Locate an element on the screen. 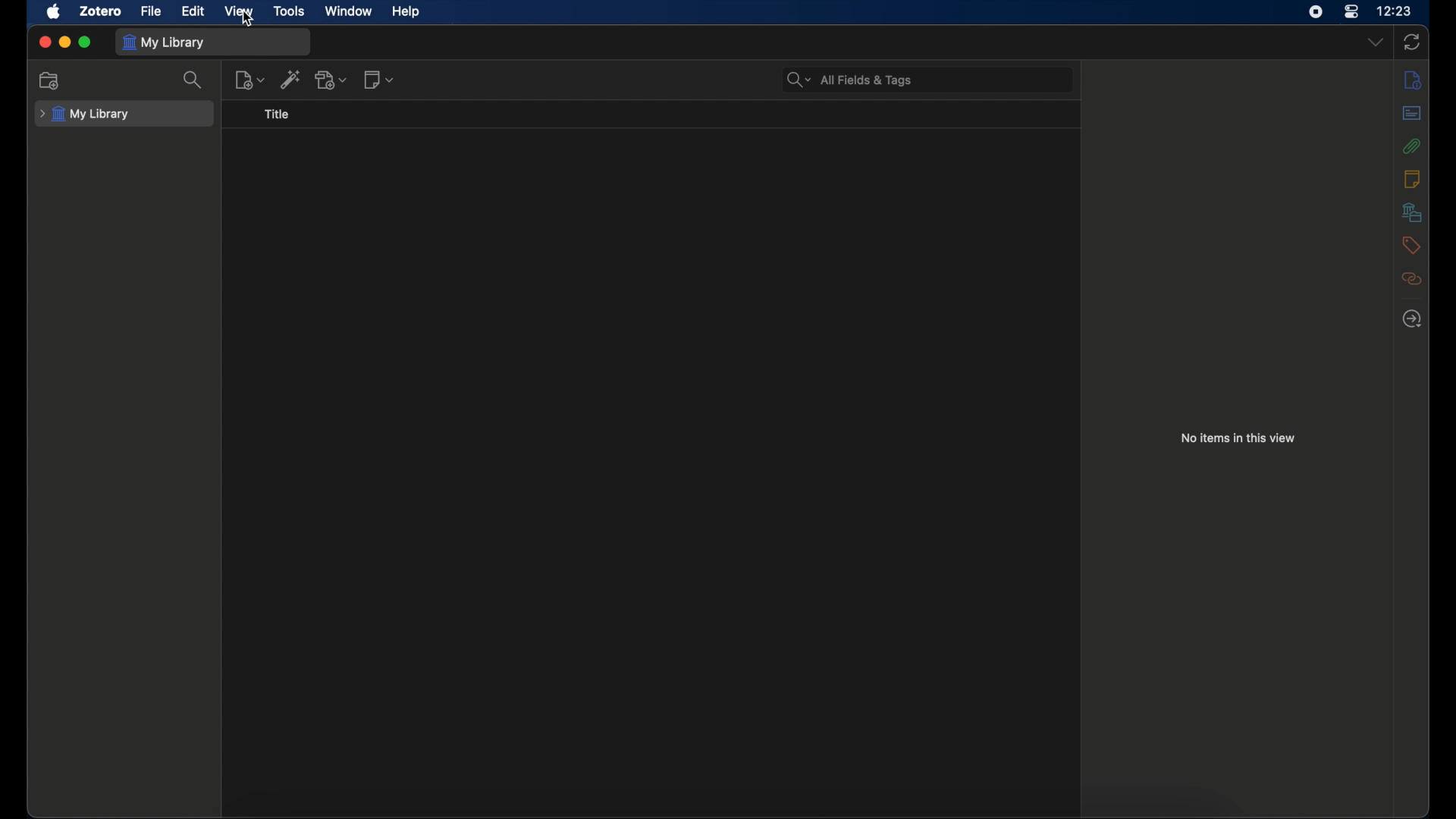 This screenshot has width=1456, height=819. sync is located at coordinates (1411, 42).